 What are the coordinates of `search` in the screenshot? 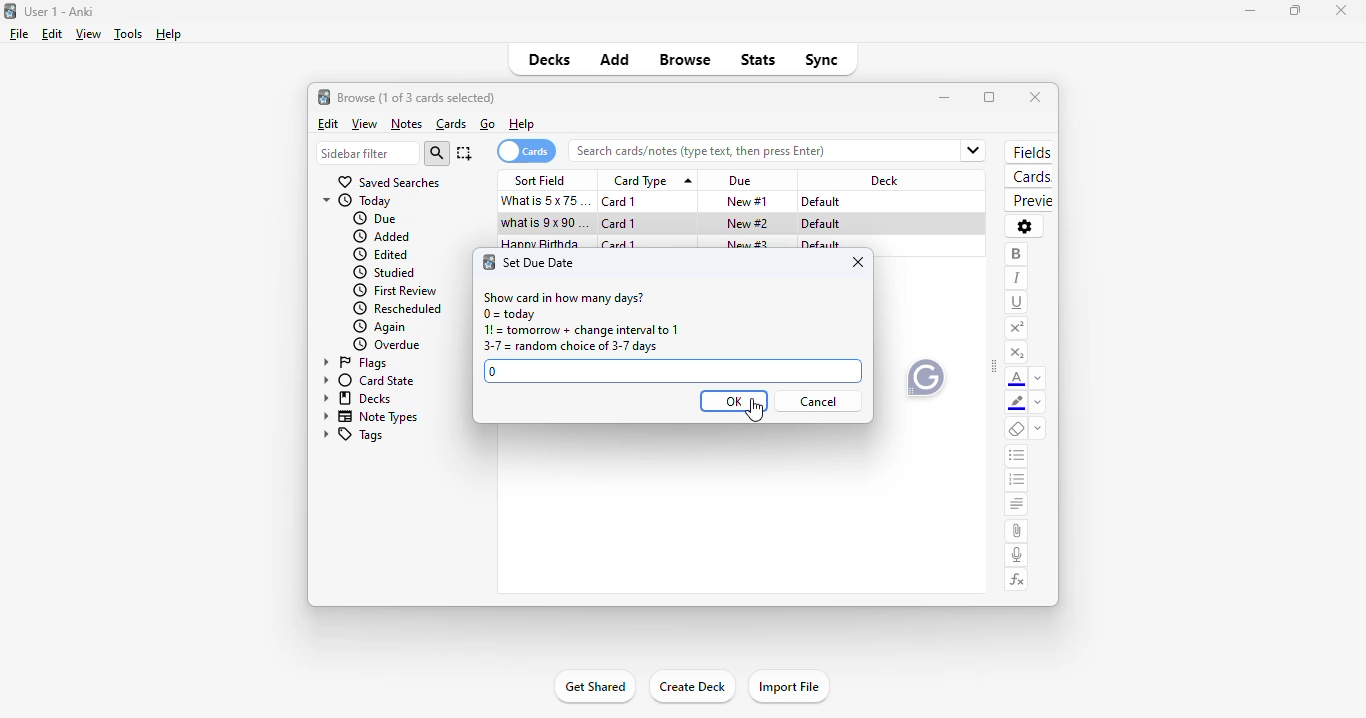 It's located at (437, 153).